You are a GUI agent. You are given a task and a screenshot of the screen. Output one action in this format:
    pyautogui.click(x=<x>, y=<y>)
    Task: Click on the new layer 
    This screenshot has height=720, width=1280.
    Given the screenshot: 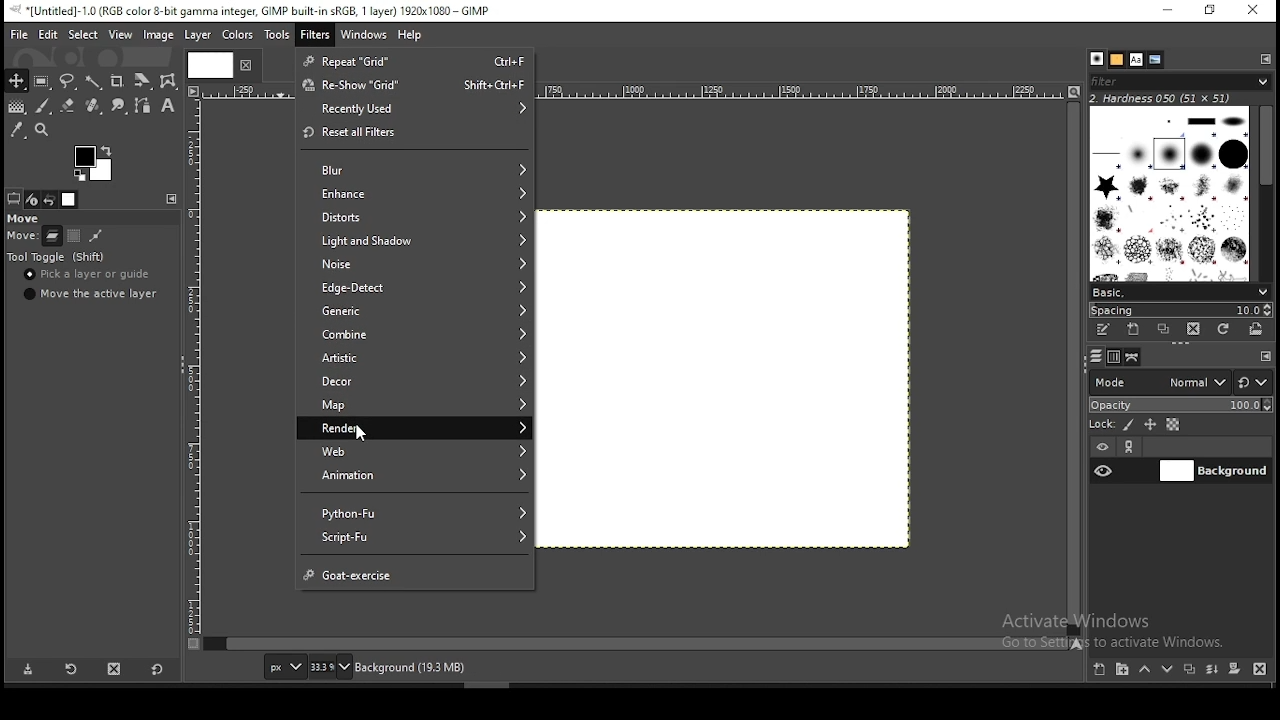 What is the action you would take?
    pyautogui.click(x=1101, y=670)
    